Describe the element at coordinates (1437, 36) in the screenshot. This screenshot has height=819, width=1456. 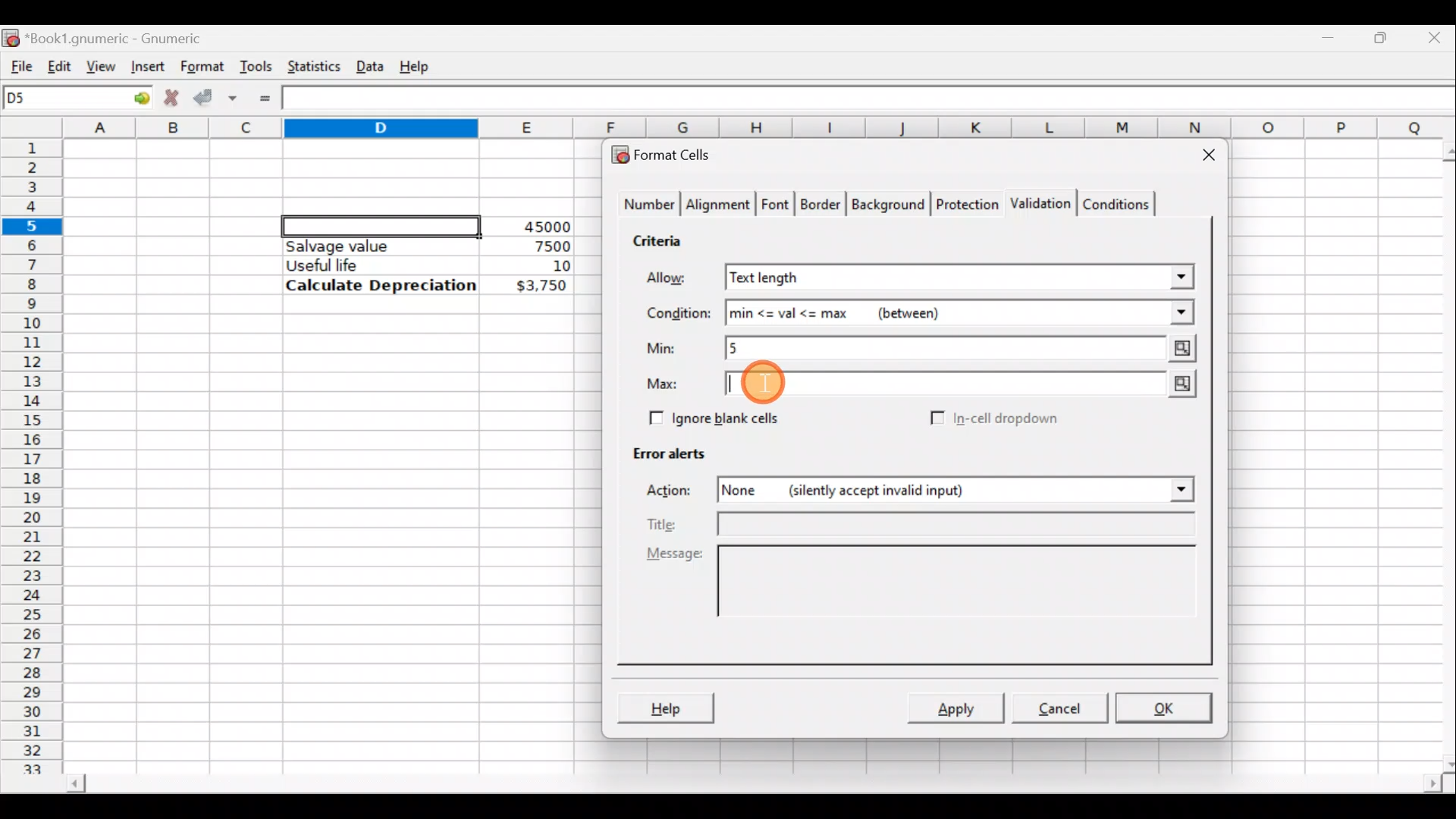
I see `Close` at that location.